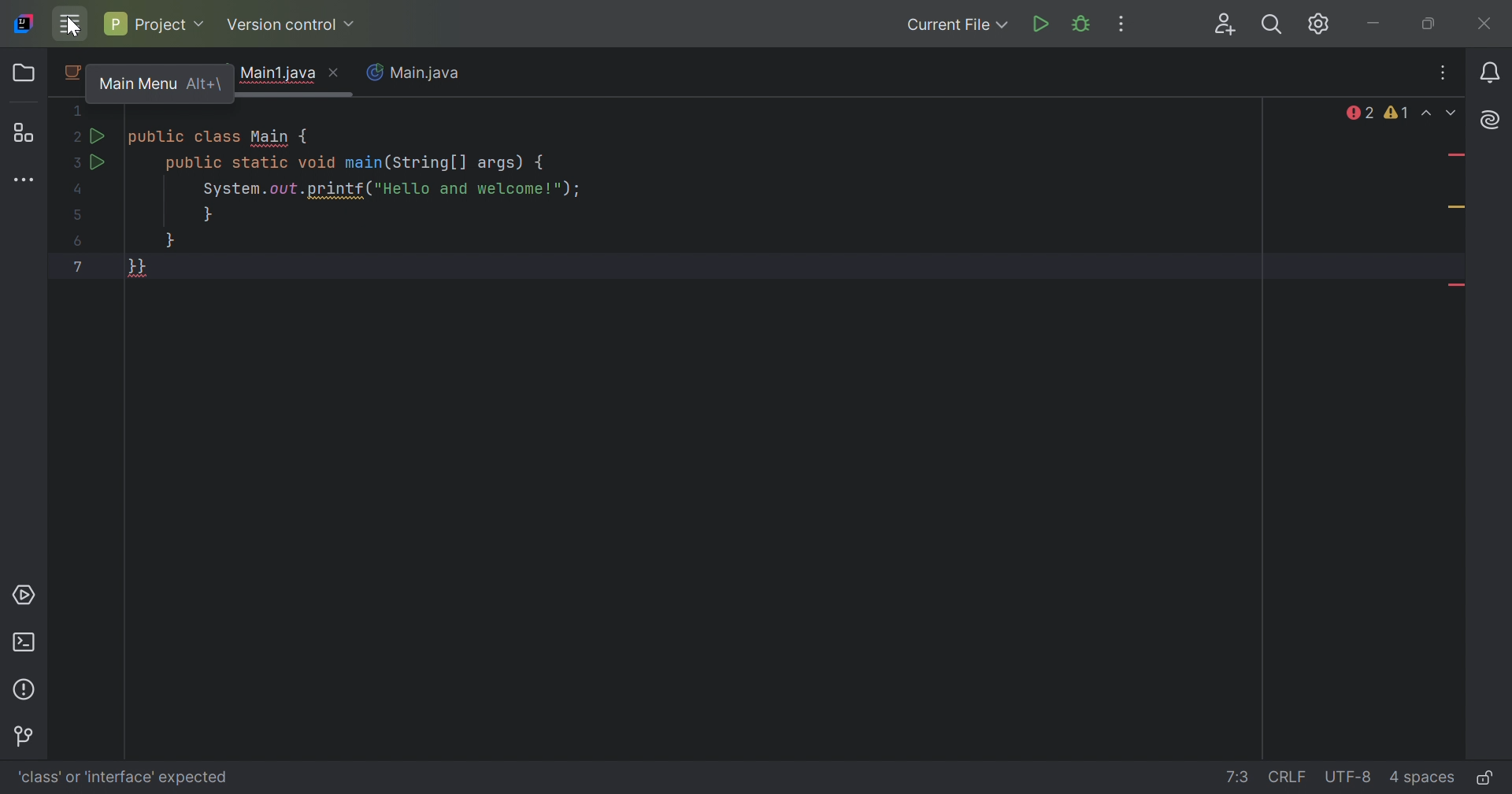 The width and height of the screenshot is (1512, 794). Describe the element at coordinates (80, 191) in the screenshot. I see `4` at that location.